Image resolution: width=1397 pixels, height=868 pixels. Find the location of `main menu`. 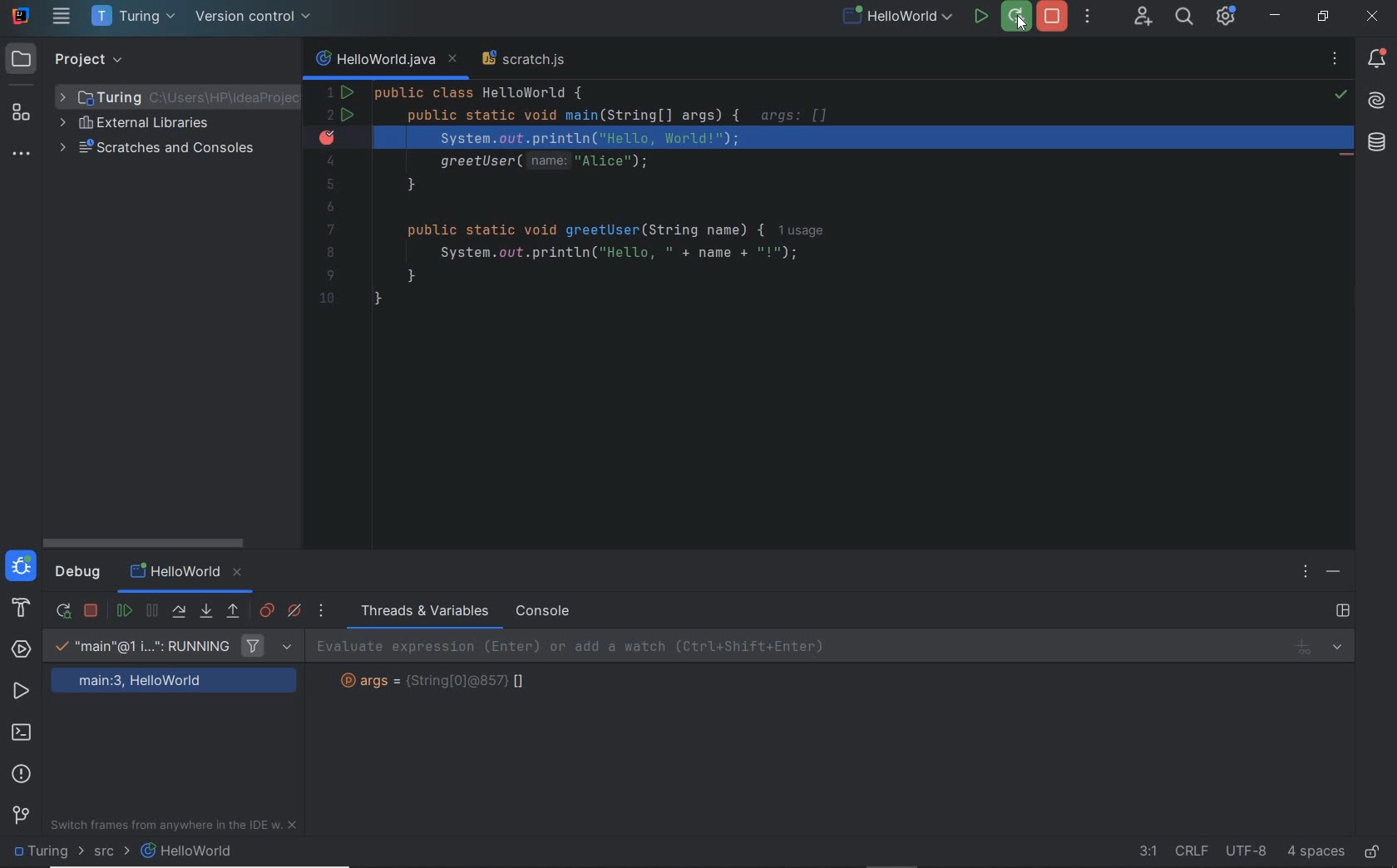

main menu is located at coordinates (63, 18).